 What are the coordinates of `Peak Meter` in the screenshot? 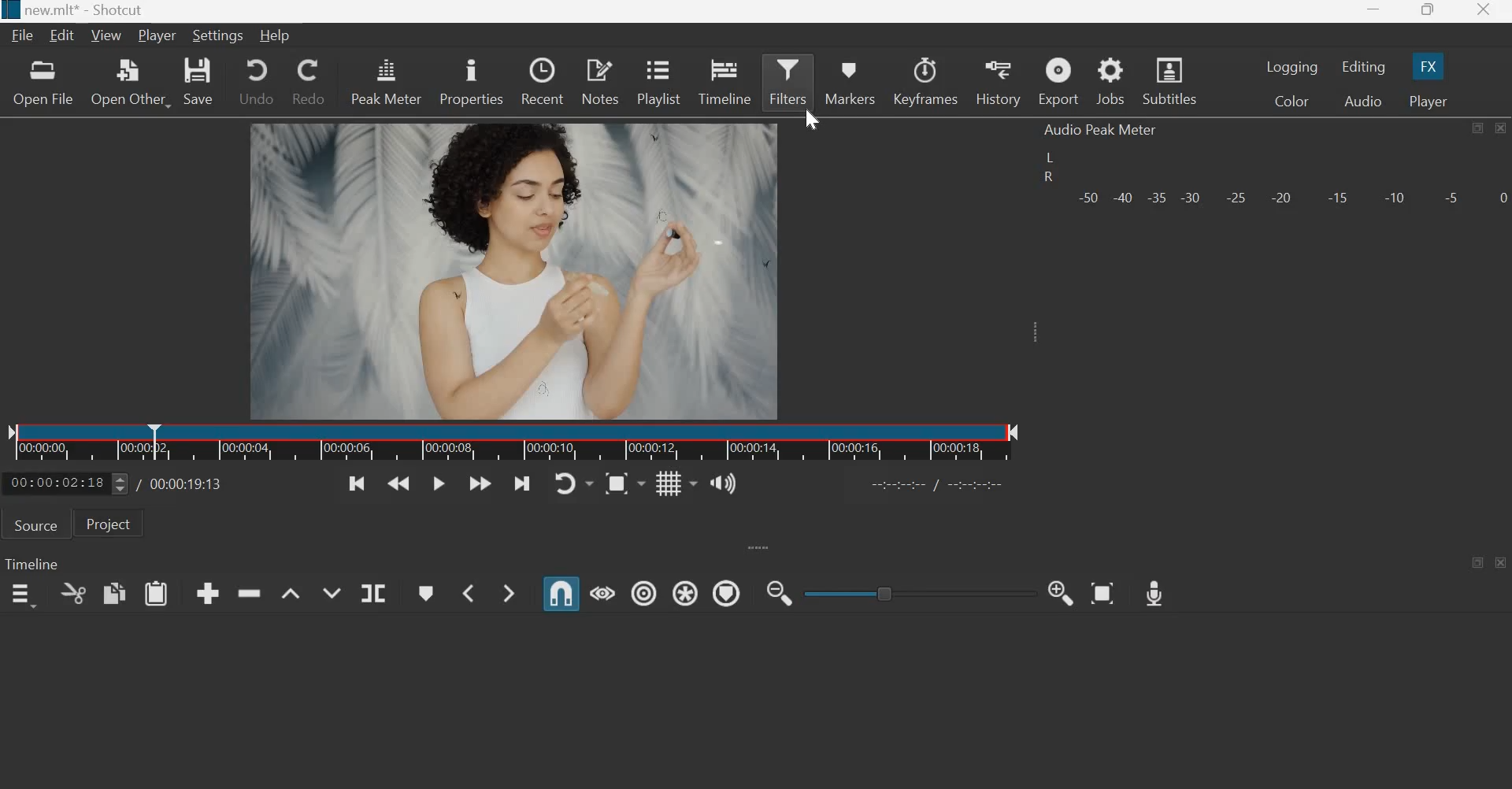 It's located at (387, 80).